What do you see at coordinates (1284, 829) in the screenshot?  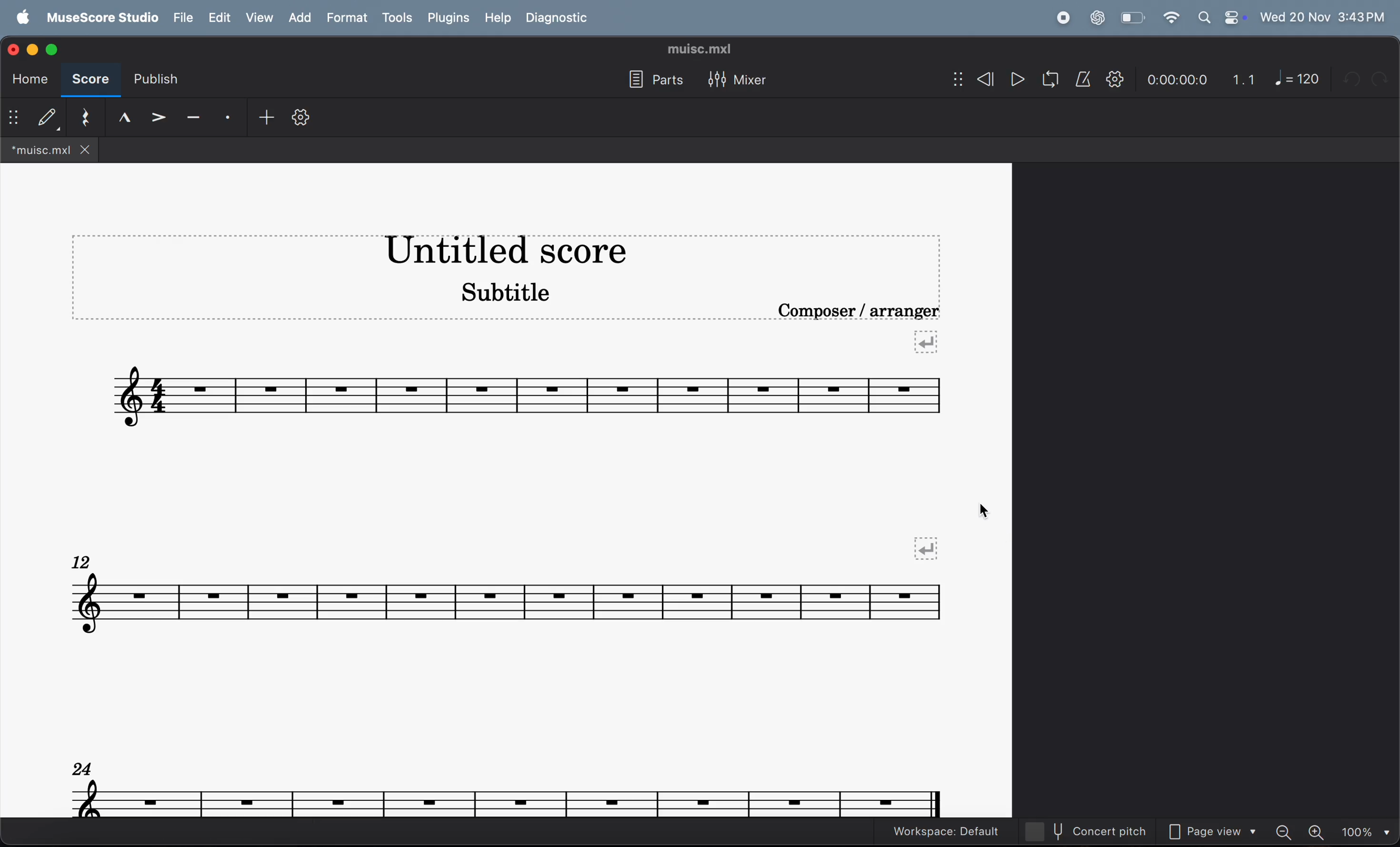 I see `zoom out` at bounding box center [1284, 829].